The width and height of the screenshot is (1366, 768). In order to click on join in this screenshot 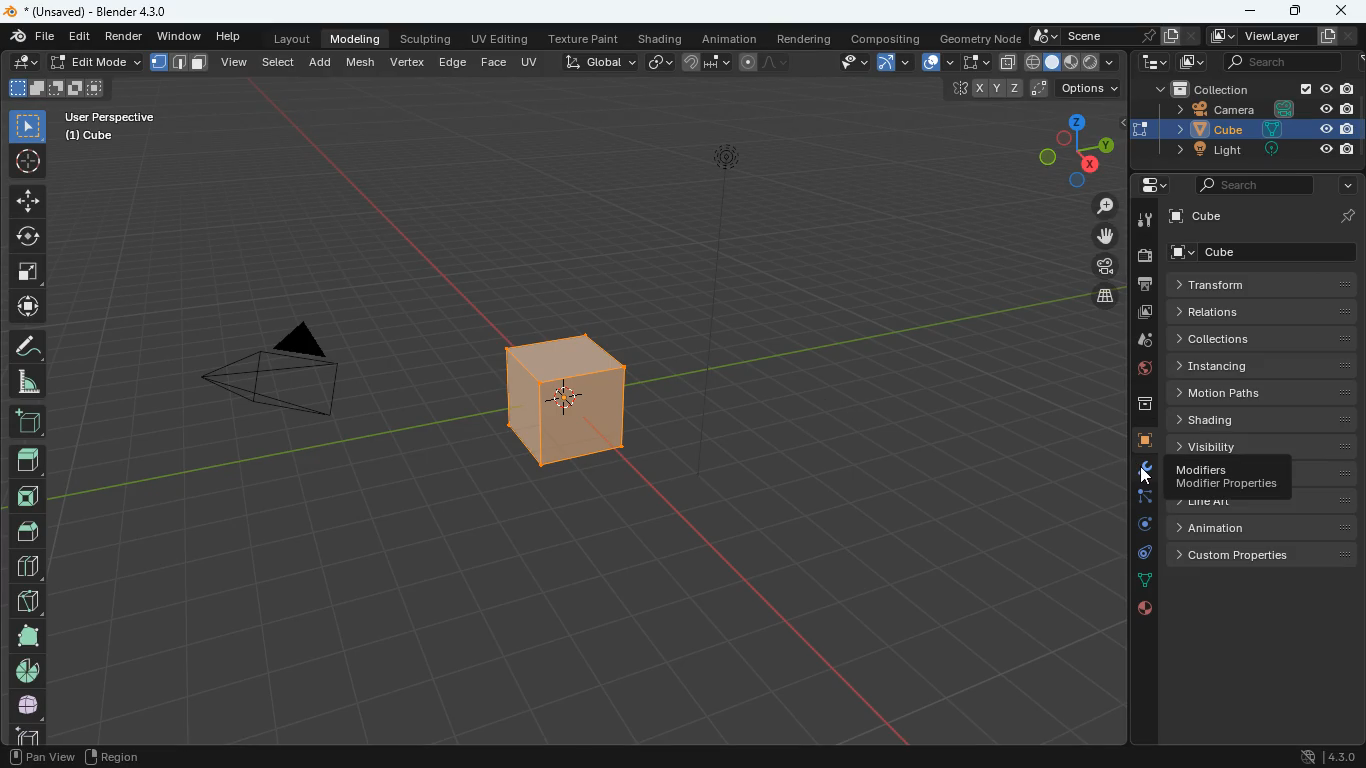, I will do `click(708, 65)`.